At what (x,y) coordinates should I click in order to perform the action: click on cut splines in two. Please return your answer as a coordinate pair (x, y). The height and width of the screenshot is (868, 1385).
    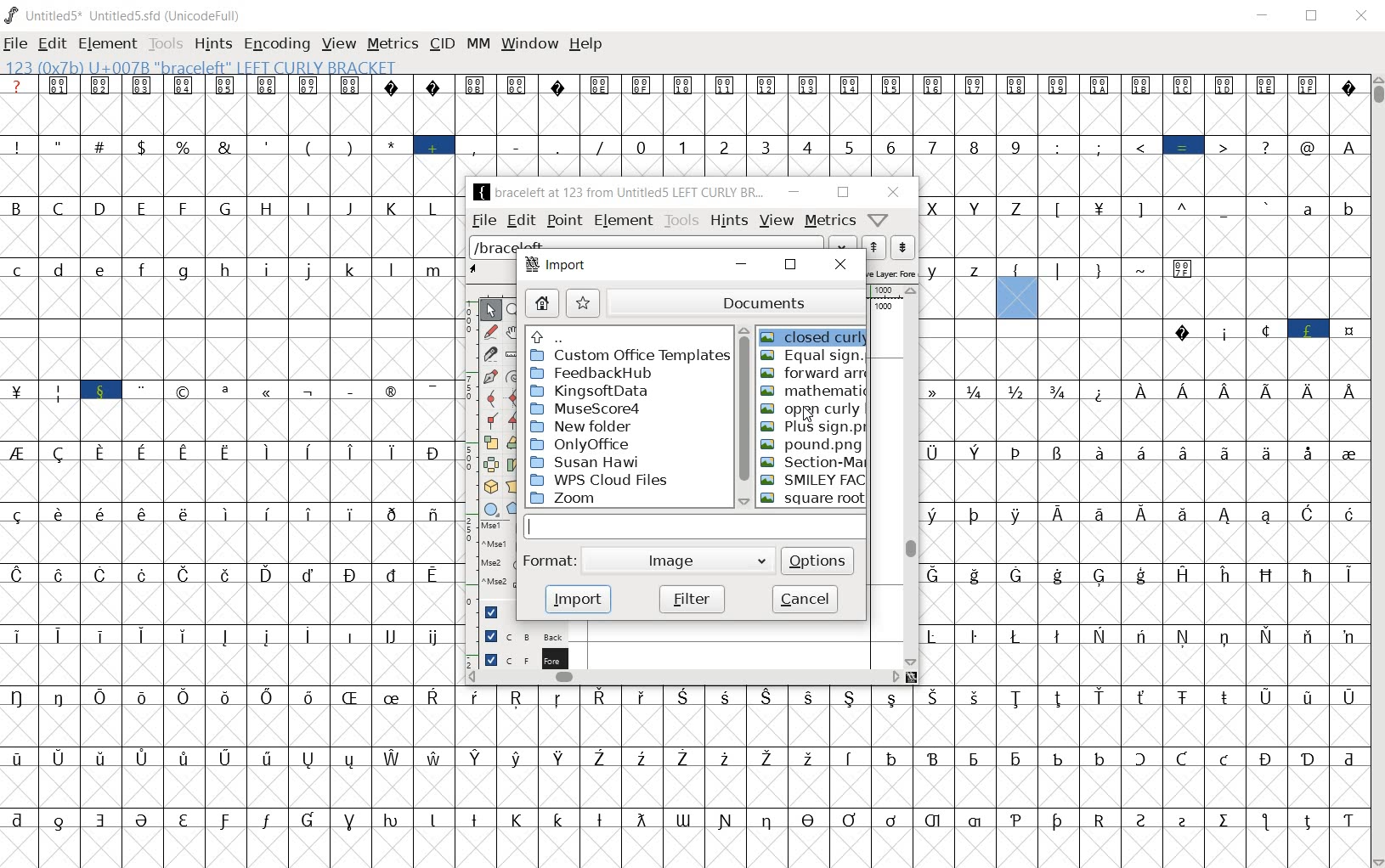
    Looking at the image, I should click on (488, 353).